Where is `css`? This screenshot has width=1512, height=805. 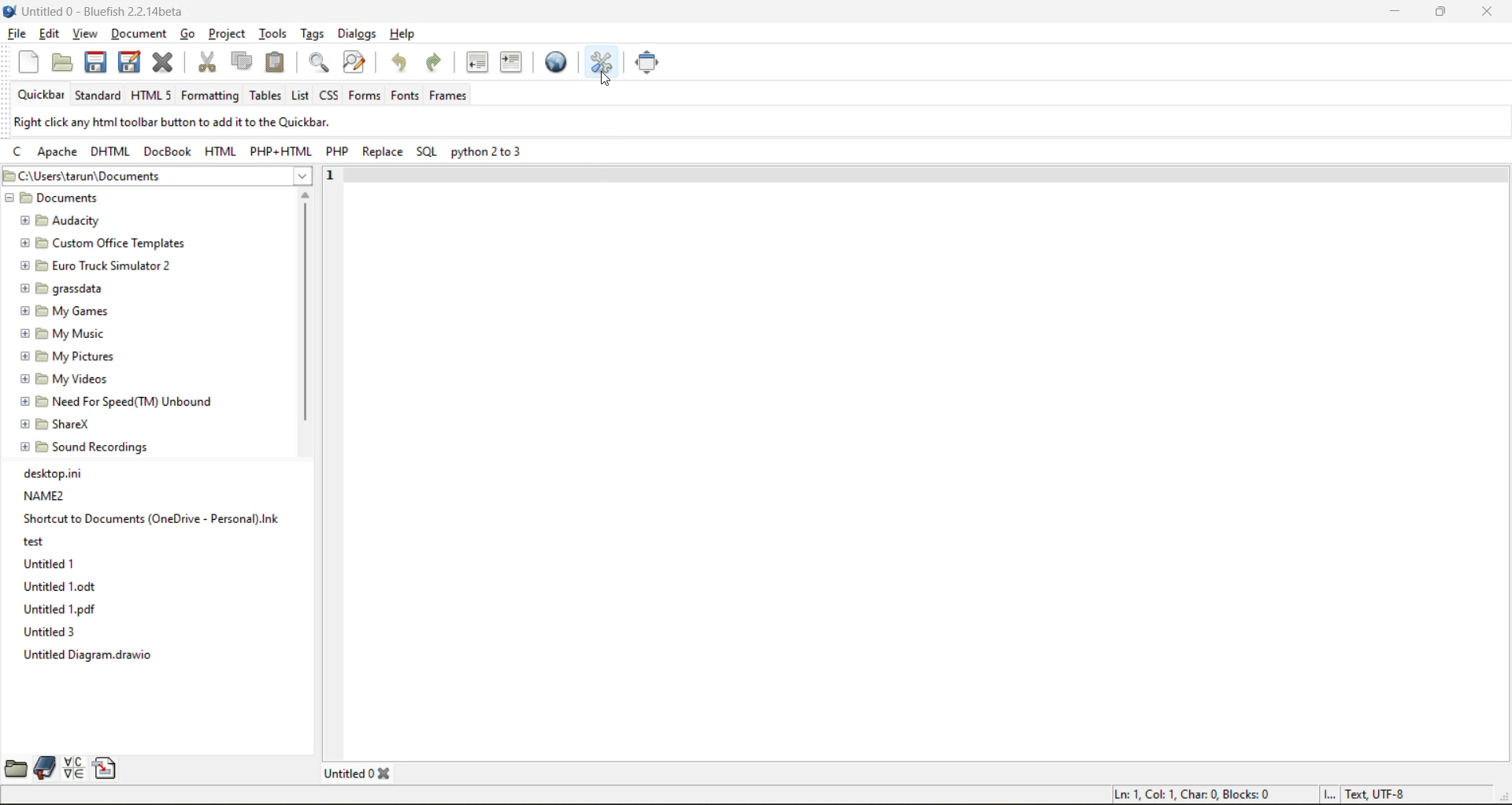 css is located at coordinates (331, 93).